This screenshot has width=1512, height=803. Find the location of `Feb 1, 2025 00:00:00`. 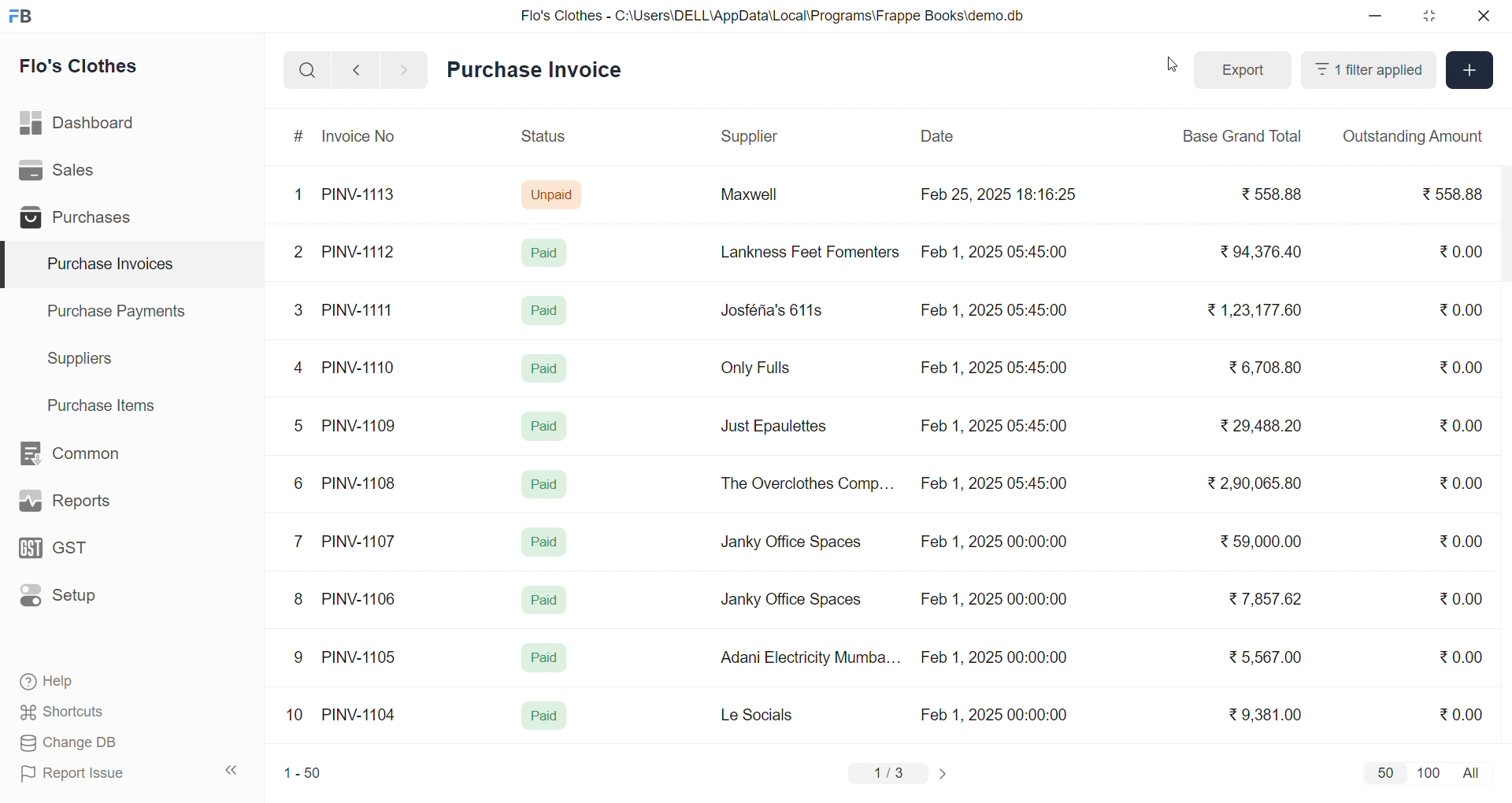

Feb 1, 2025 00:00:00 is located at coordinates (996, 714).